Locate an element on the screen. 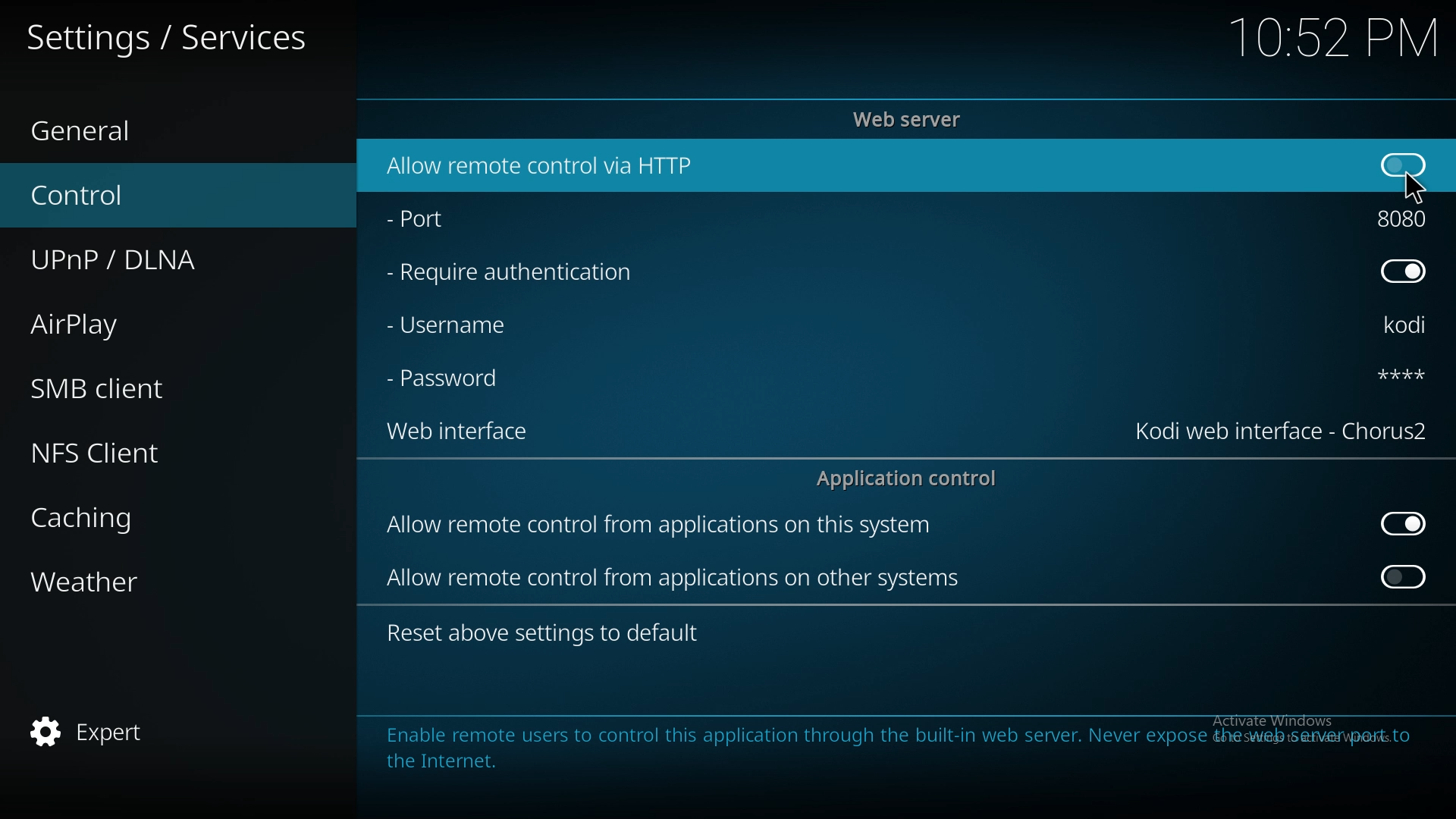 The image size is (1456, 819). reset is located at coordinates (548, 634).